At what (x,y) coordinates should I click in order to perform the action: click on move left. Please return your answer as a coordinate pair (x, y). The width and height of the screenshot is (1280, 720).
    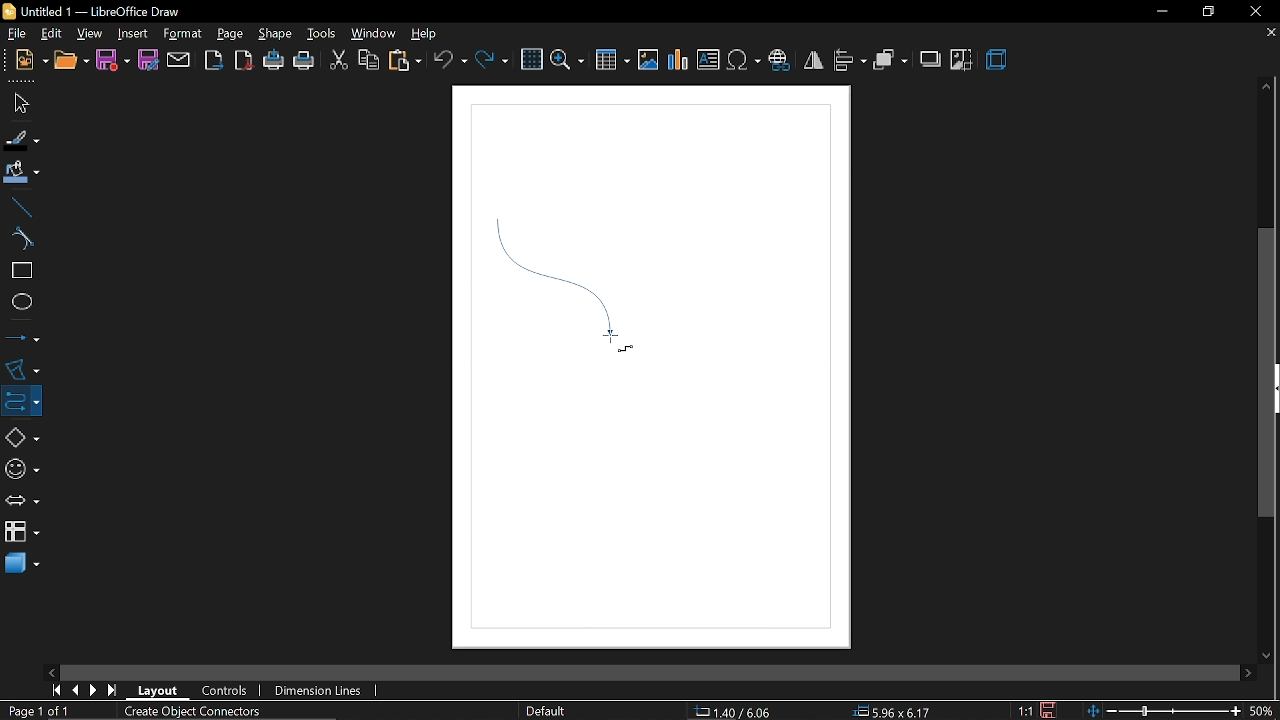
    Looking at the image, I should click on (51, 671).